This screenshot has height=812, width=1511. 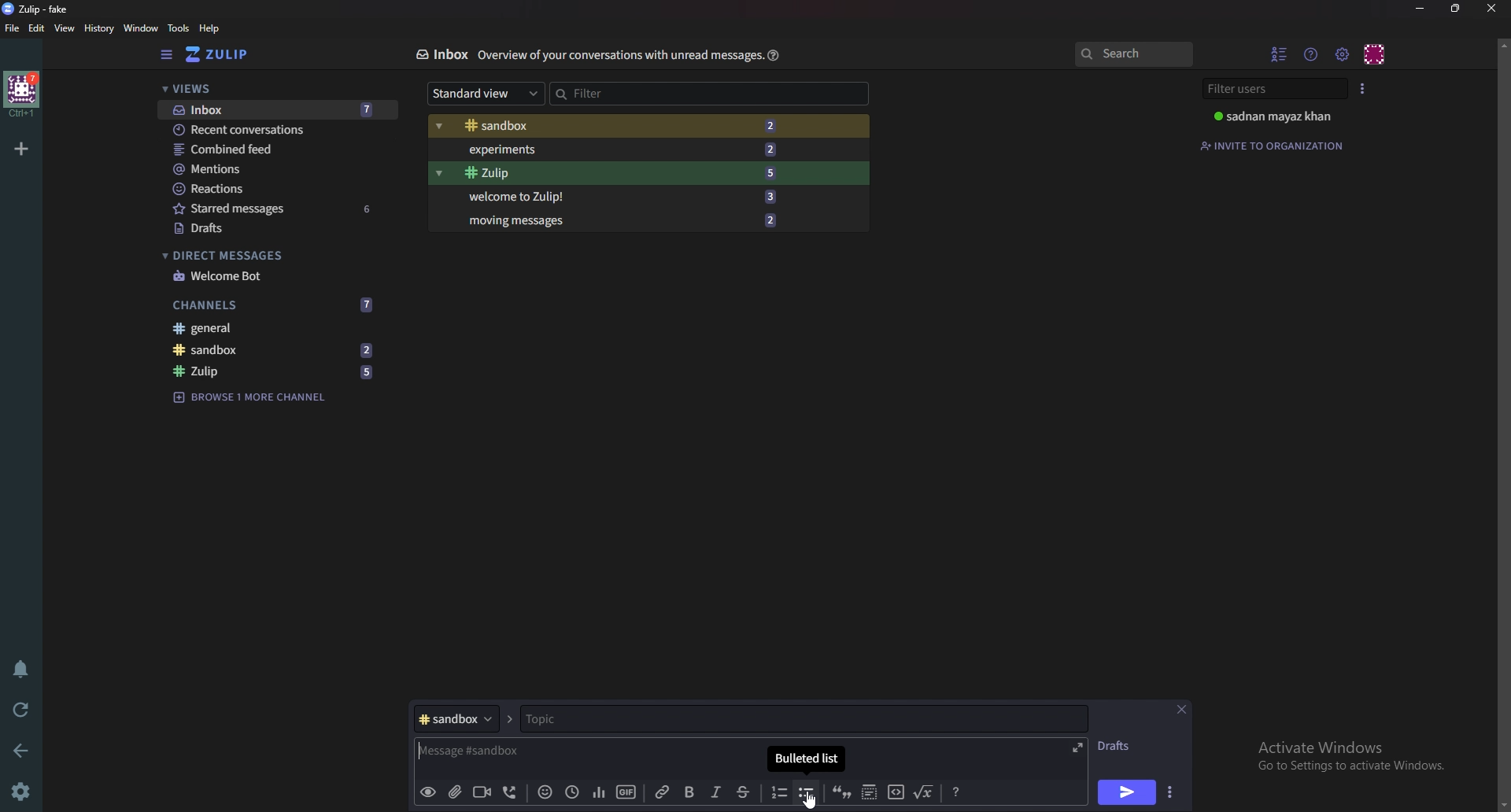 What do you see at coordinates (1274, 146) in the screenshot?
I see `Invite to organization` at bounding box center [1274, 146].